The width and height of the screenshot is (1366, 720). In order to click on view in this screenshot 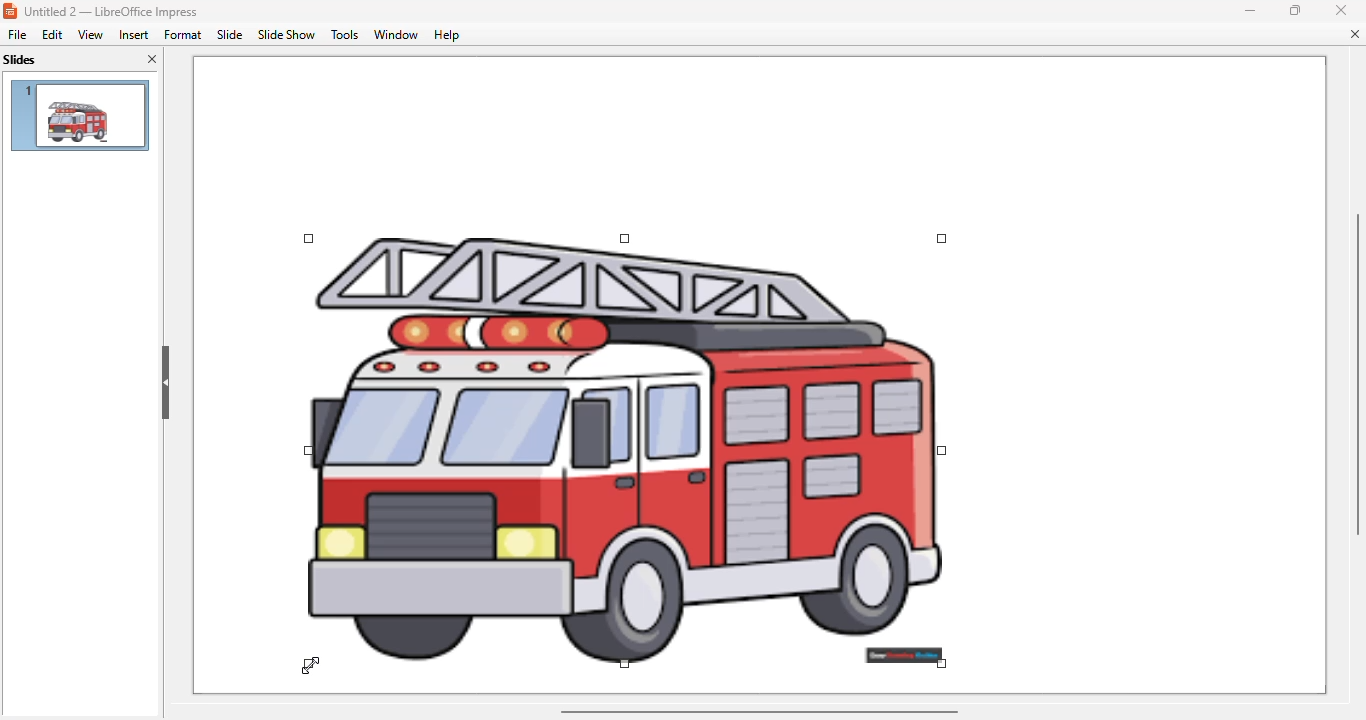, I will do `click(90, 34)`.